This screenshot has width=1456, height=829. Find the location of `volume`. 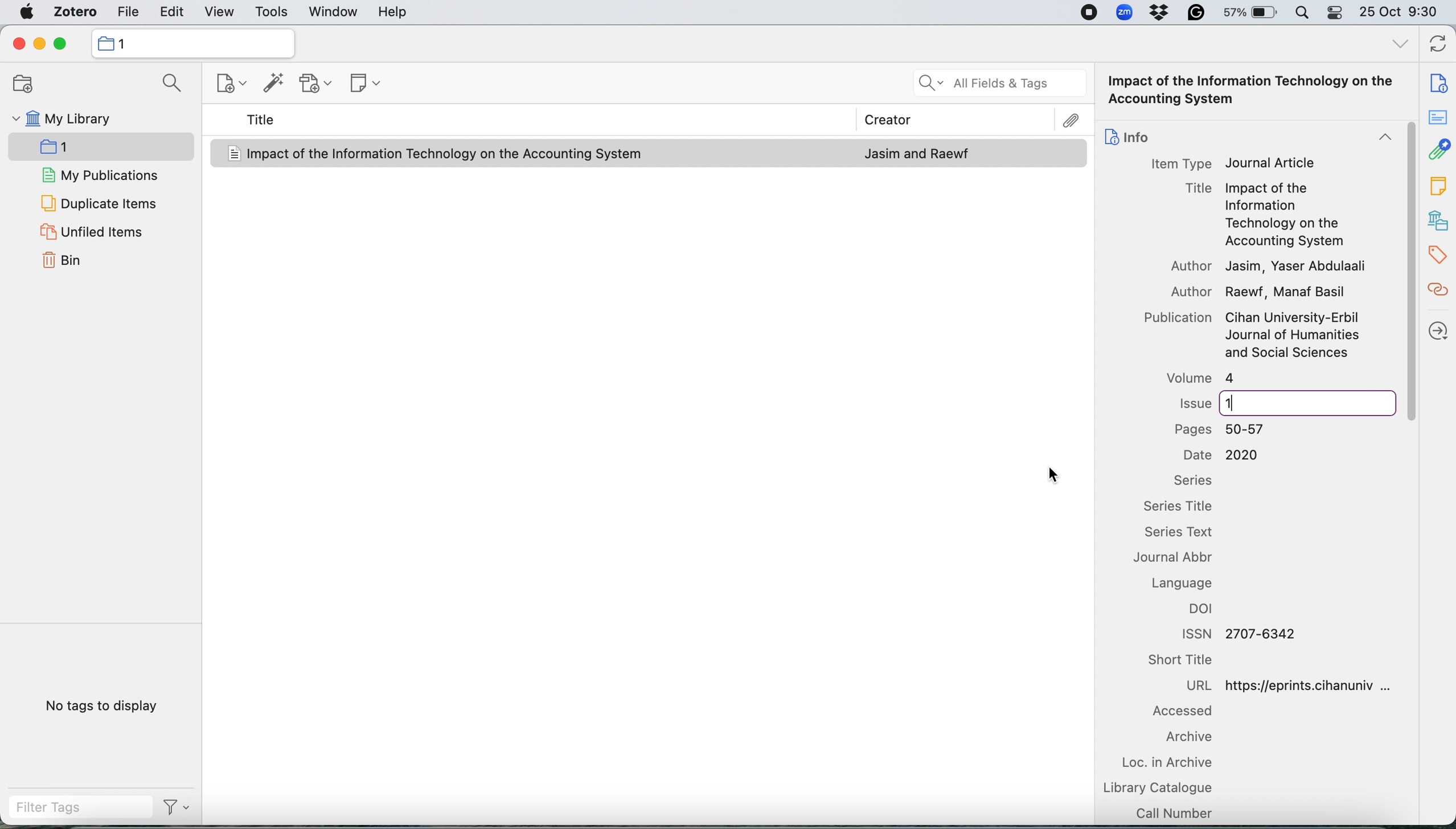

volume is located at coordinates (1197, 378).